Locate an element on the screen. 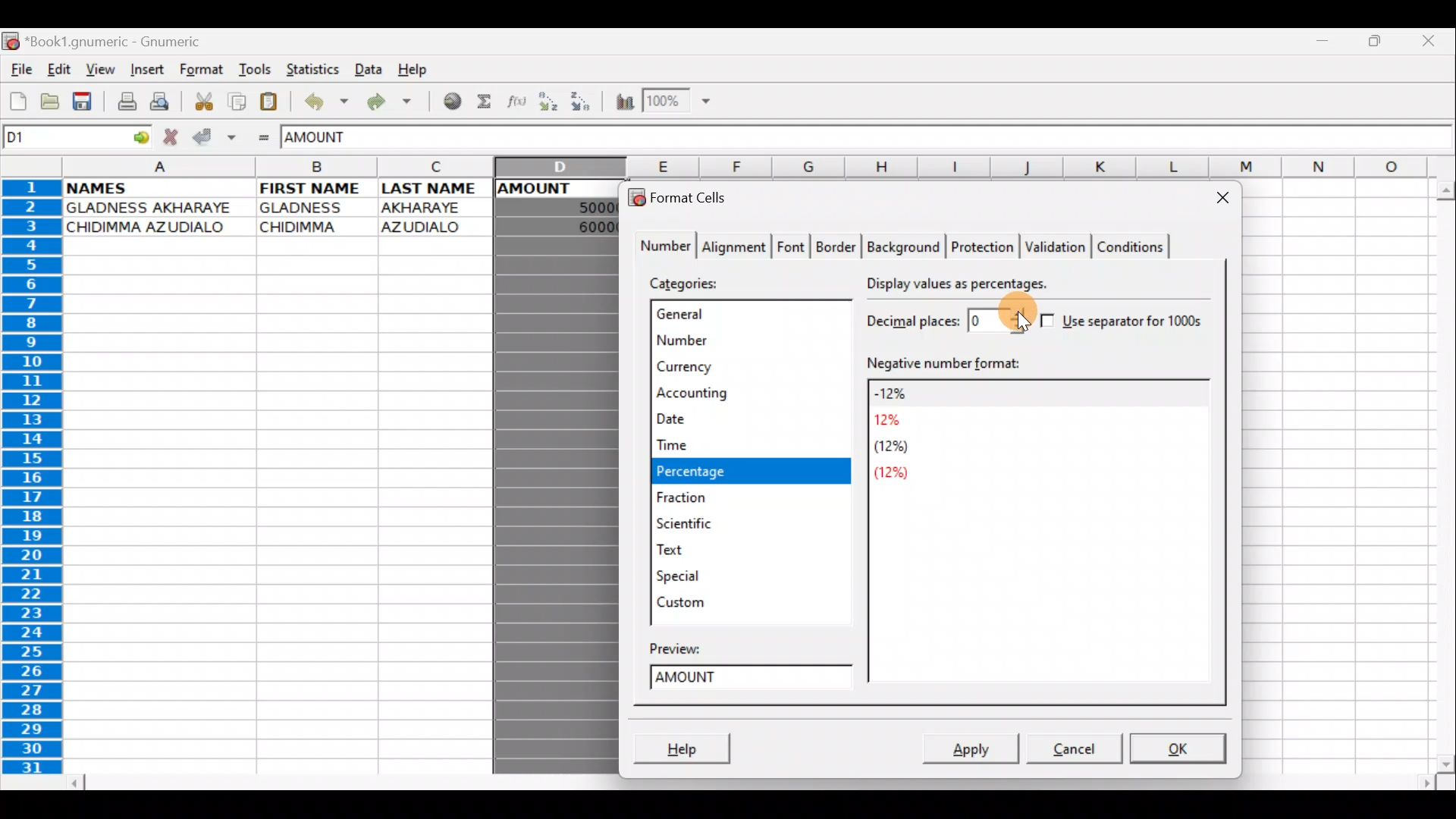 The image size is (1456, 819). Data is located at coordinates (368, 68).